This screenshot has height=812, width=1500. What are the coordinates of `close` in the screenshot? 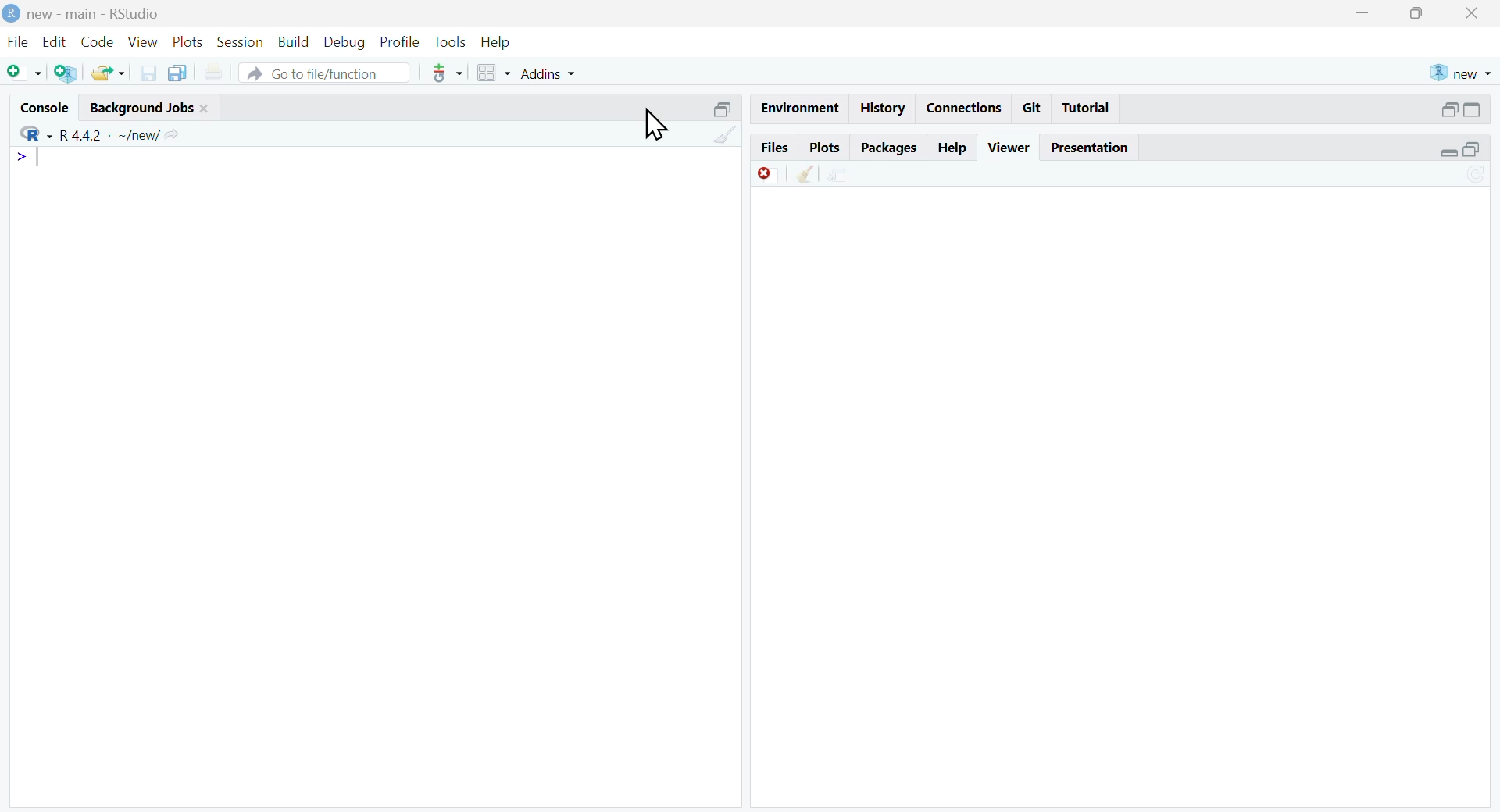 It's located at (1472, 13).